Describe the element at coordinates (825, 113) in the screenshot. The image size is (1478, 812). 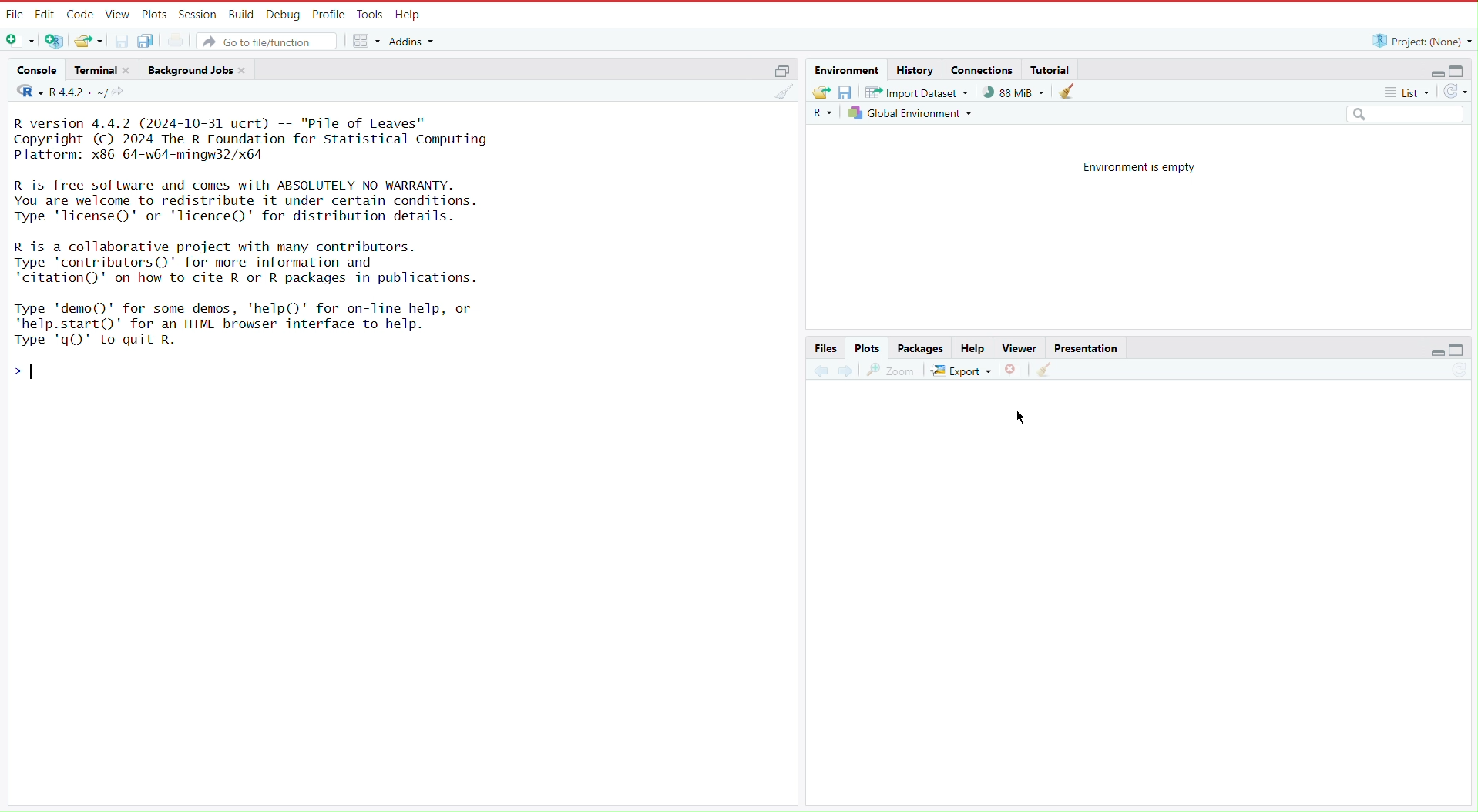
I see `R` at that location.